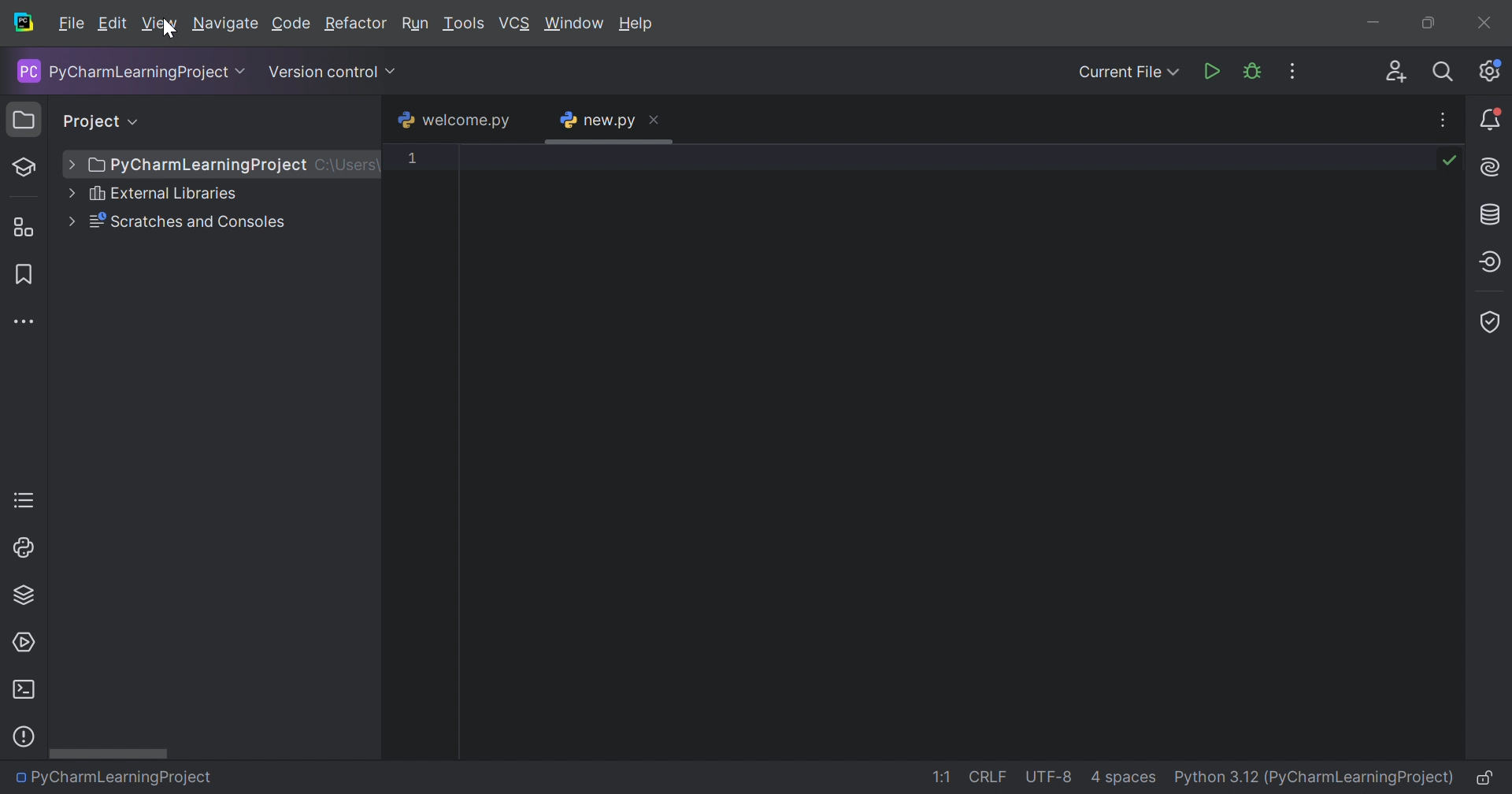  What do you see at coordinates (71, 193) in the screenshot?
I see `Drop down` at bounding box center [71, 193].